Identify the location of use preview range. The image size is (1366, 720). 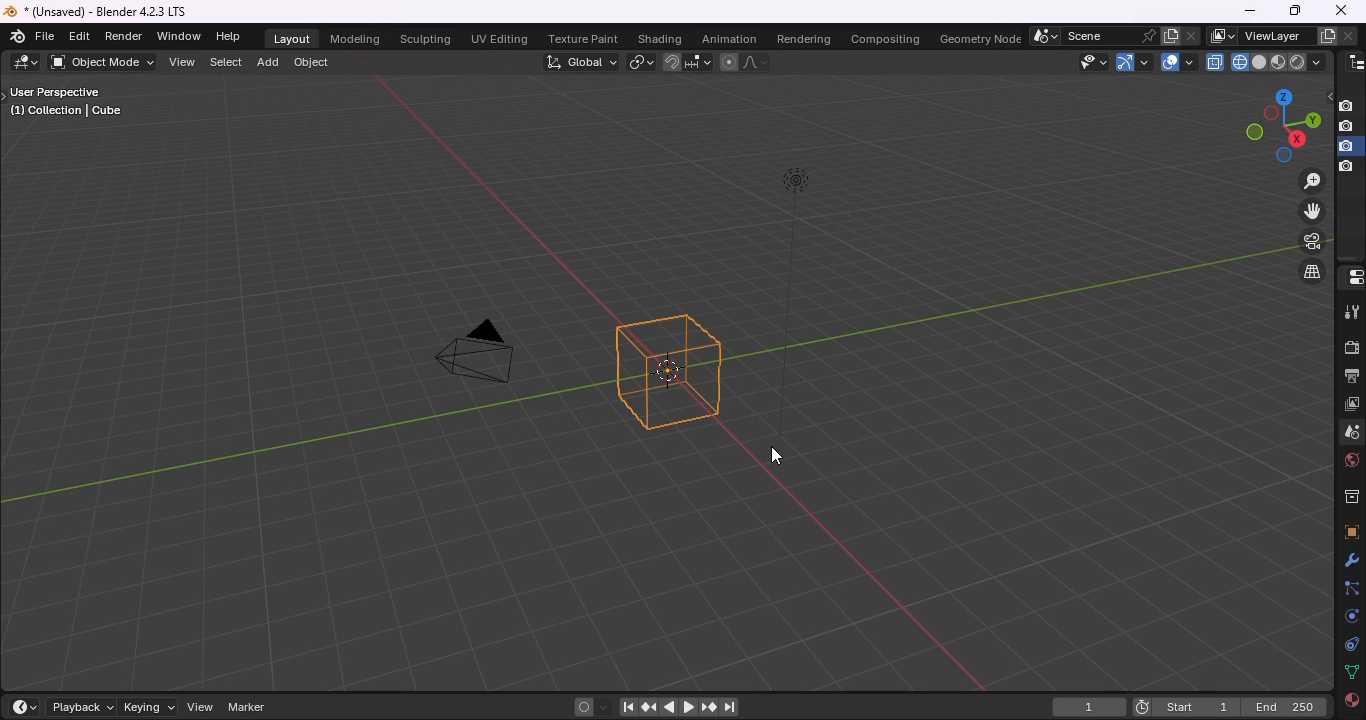
(1139, 706).